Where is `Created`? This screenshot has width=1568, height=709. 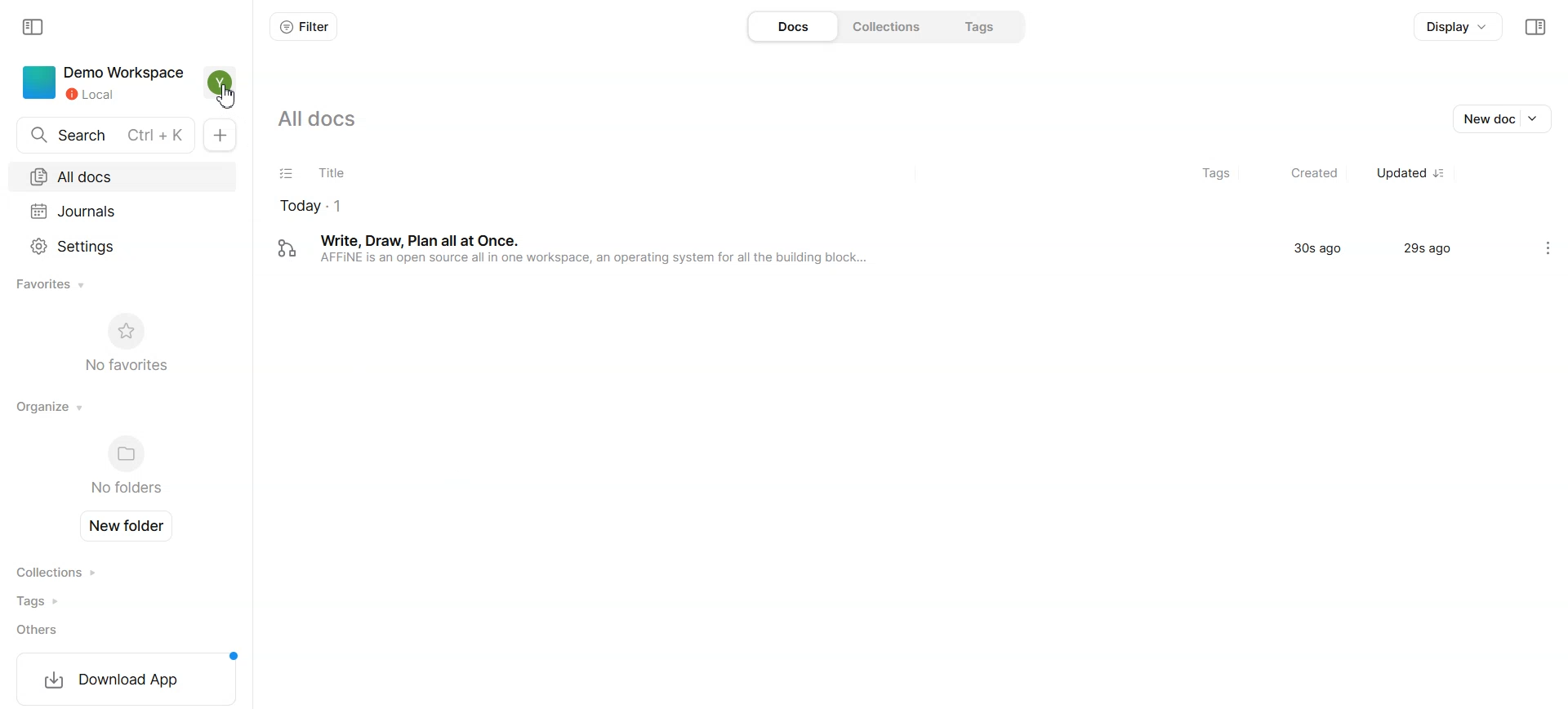
Created is located at coordinates (1306, 173).